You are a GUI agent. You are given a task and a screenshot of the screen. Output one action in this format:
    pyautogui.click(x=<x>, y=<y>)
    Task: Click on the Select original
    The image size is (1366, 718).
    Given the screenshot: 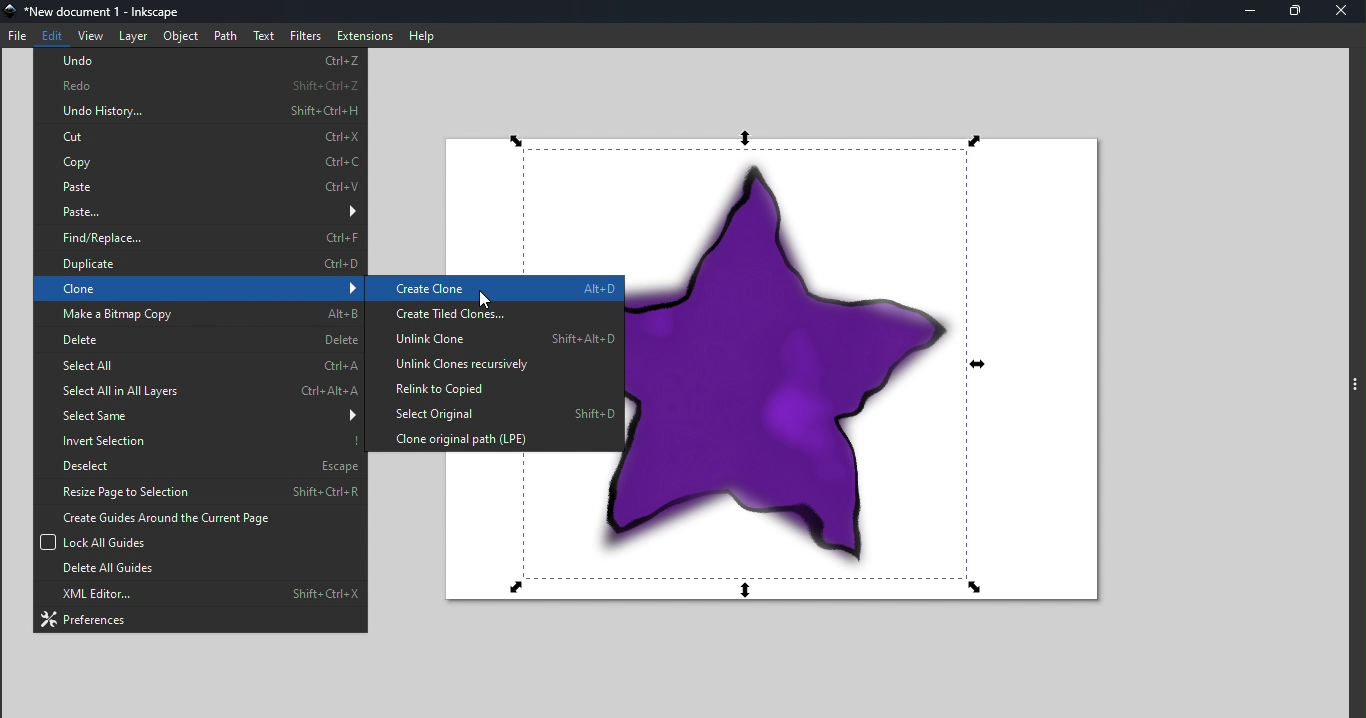 What is the action you would take?
    pyautogui.click(x=492, y=413)
    